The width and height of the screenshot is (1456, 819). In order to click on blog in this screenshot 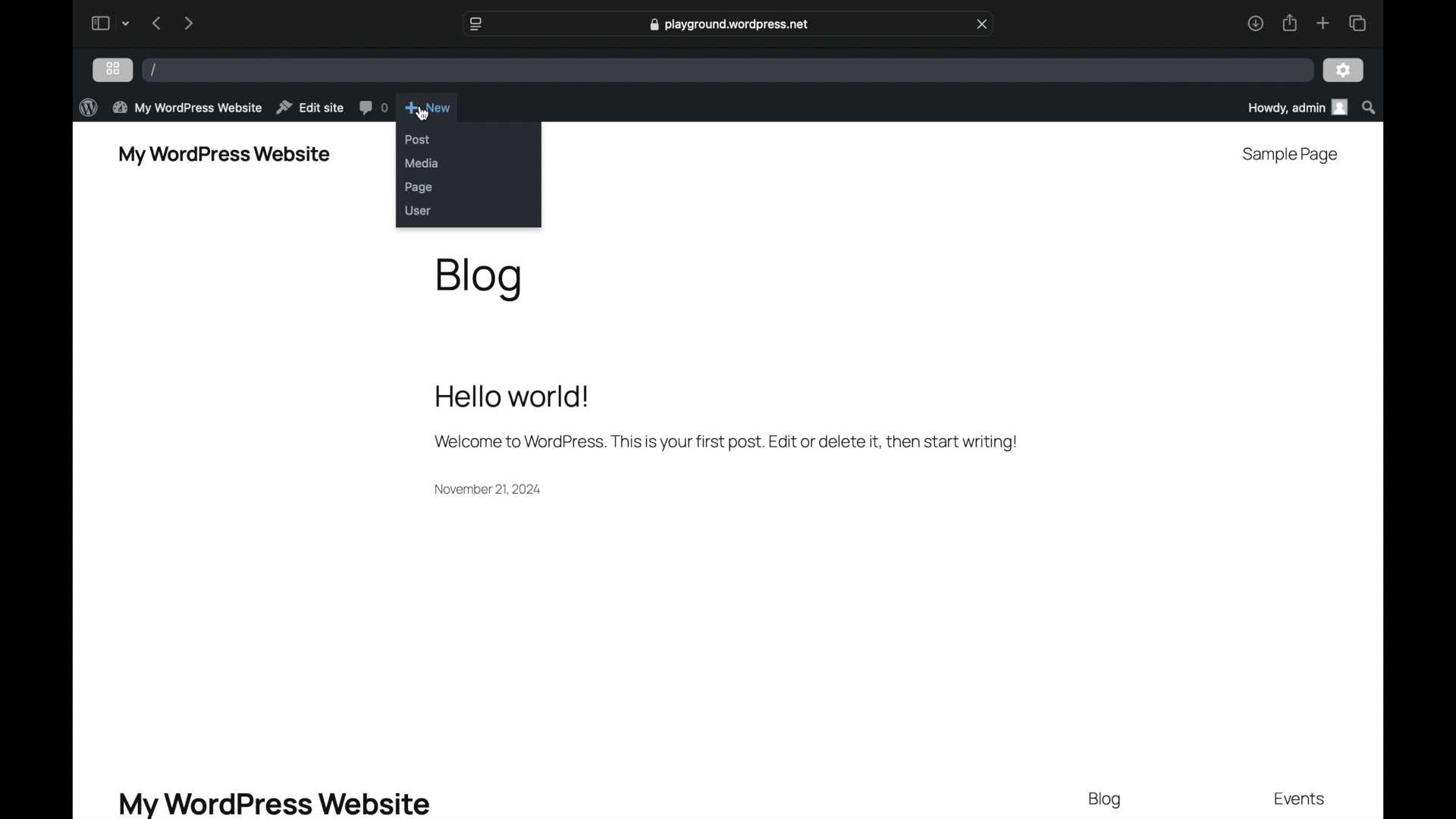, I will do `click(479, 279)`.